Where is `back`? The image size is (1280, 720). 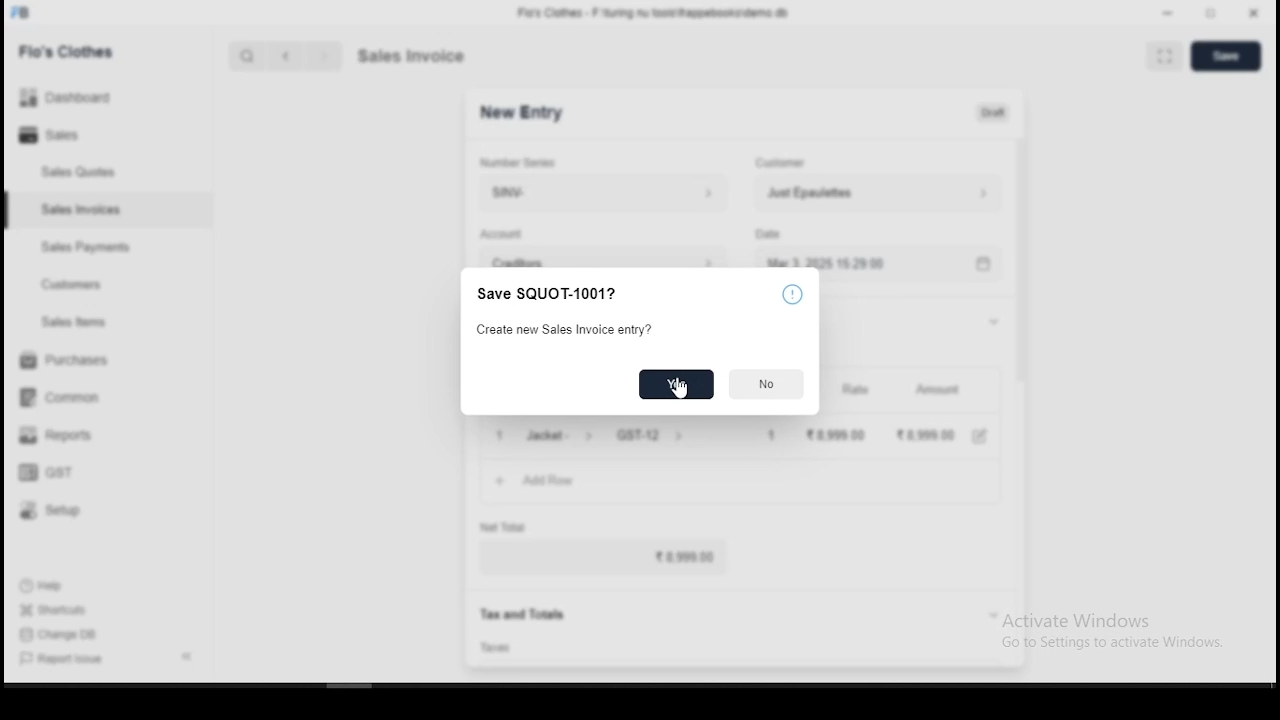 back is located at coordinates (283, 55).